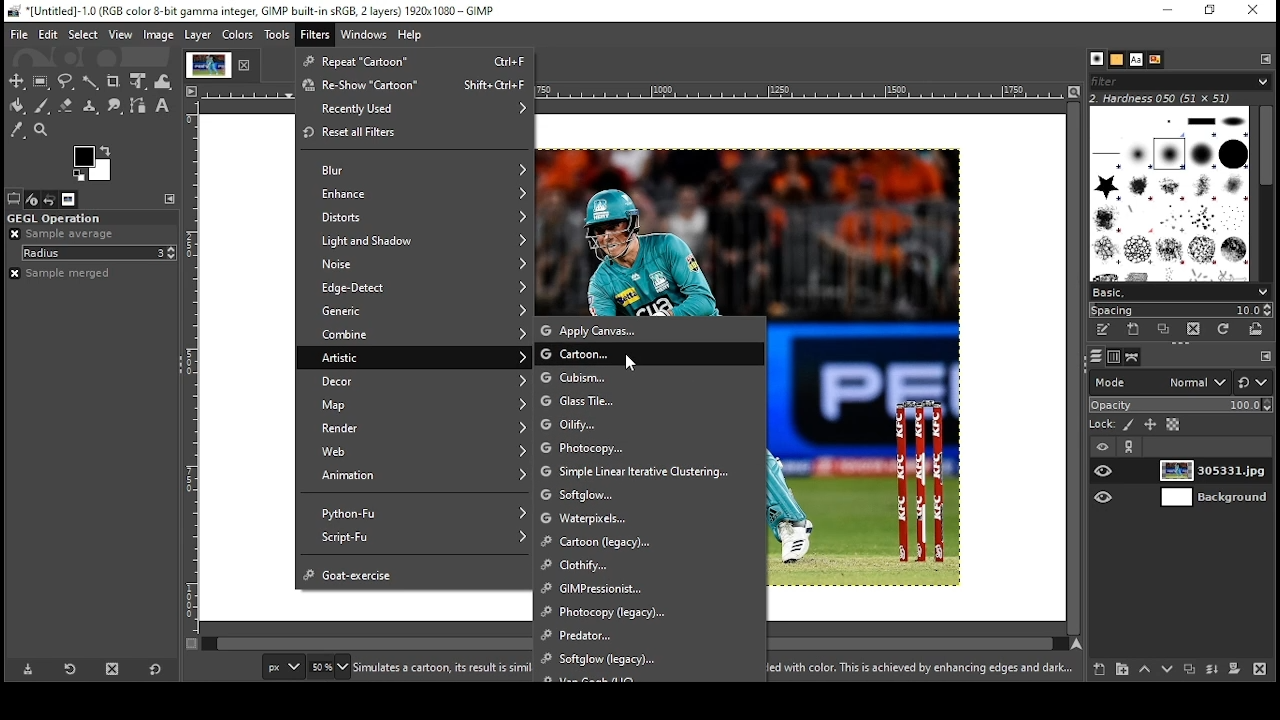 This screenshot has width=1280, height=720. Describe the element at coordinates (65, 105) in the screenshot. I see `eraser tool` at that location.